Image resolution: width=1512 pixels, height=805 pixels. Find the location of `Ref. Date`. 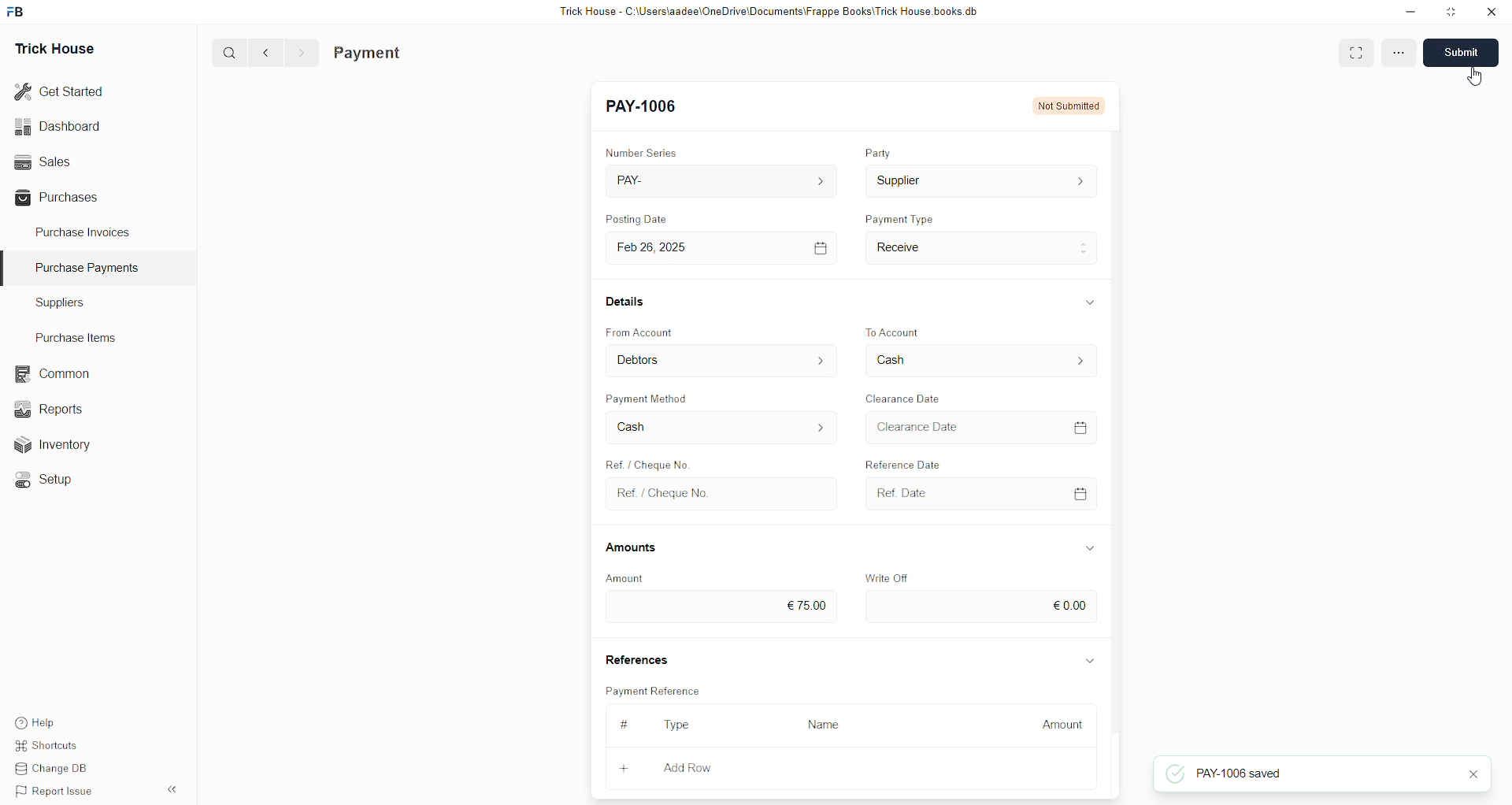

Ref. Date is located at coordinates (976, 493).